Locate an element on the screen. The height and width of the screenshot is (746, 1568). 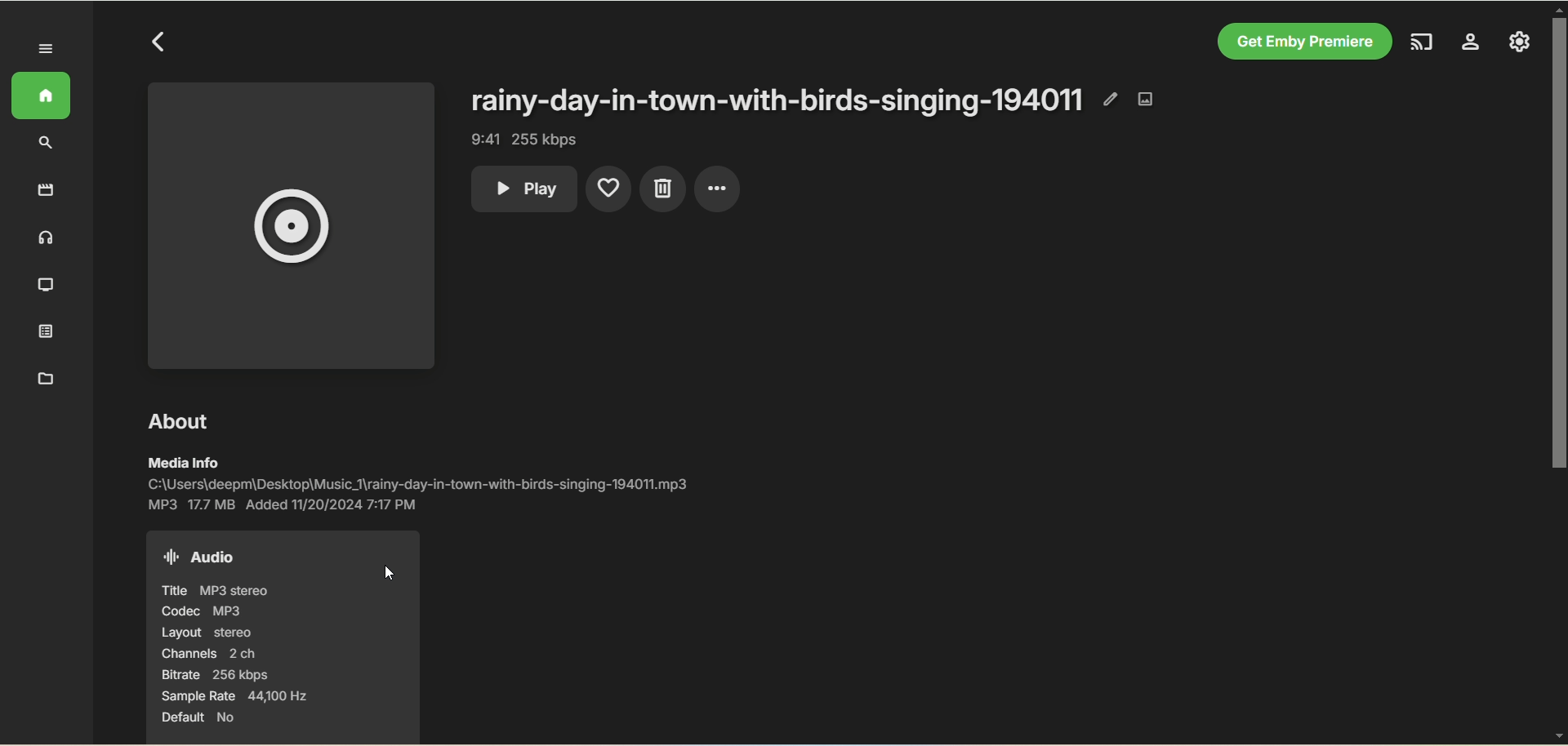
codec mp3 is located at coordinates (200, 611).